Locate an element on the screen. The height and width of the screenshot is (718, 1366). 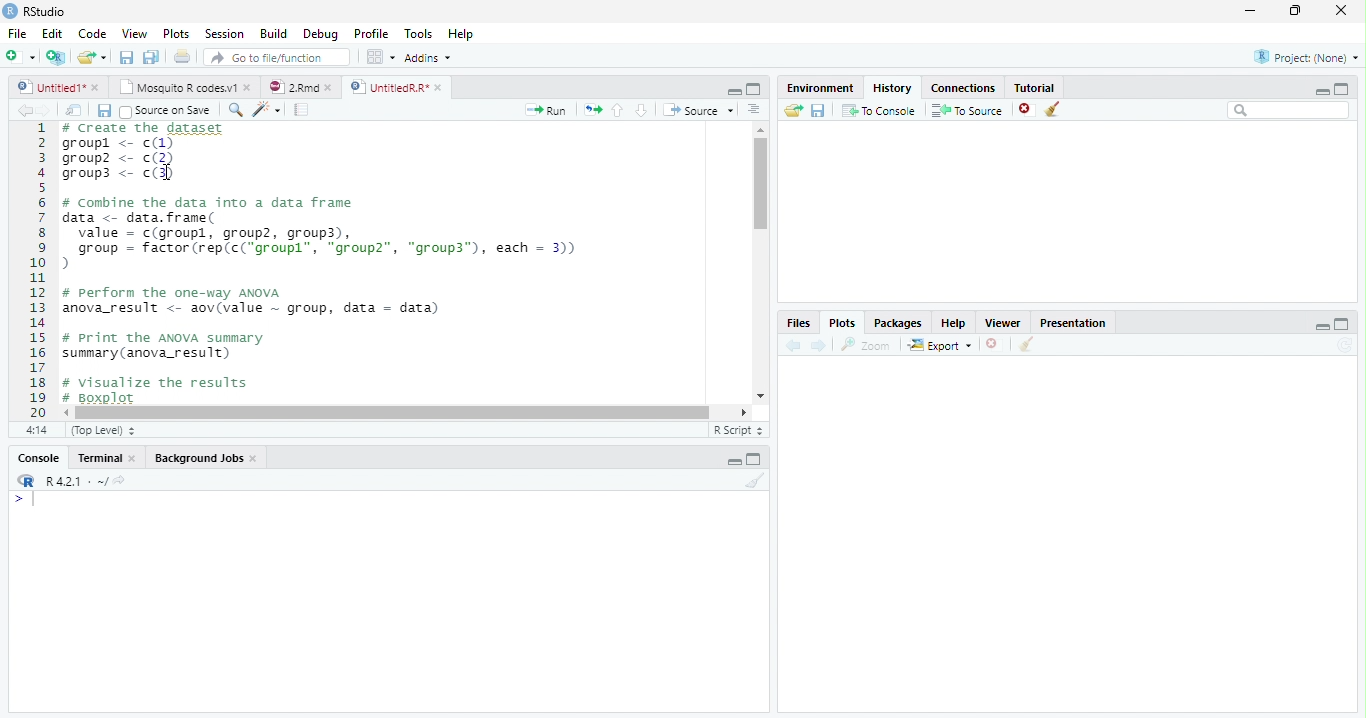
Save All open documents is located at coordinates (150, 57).